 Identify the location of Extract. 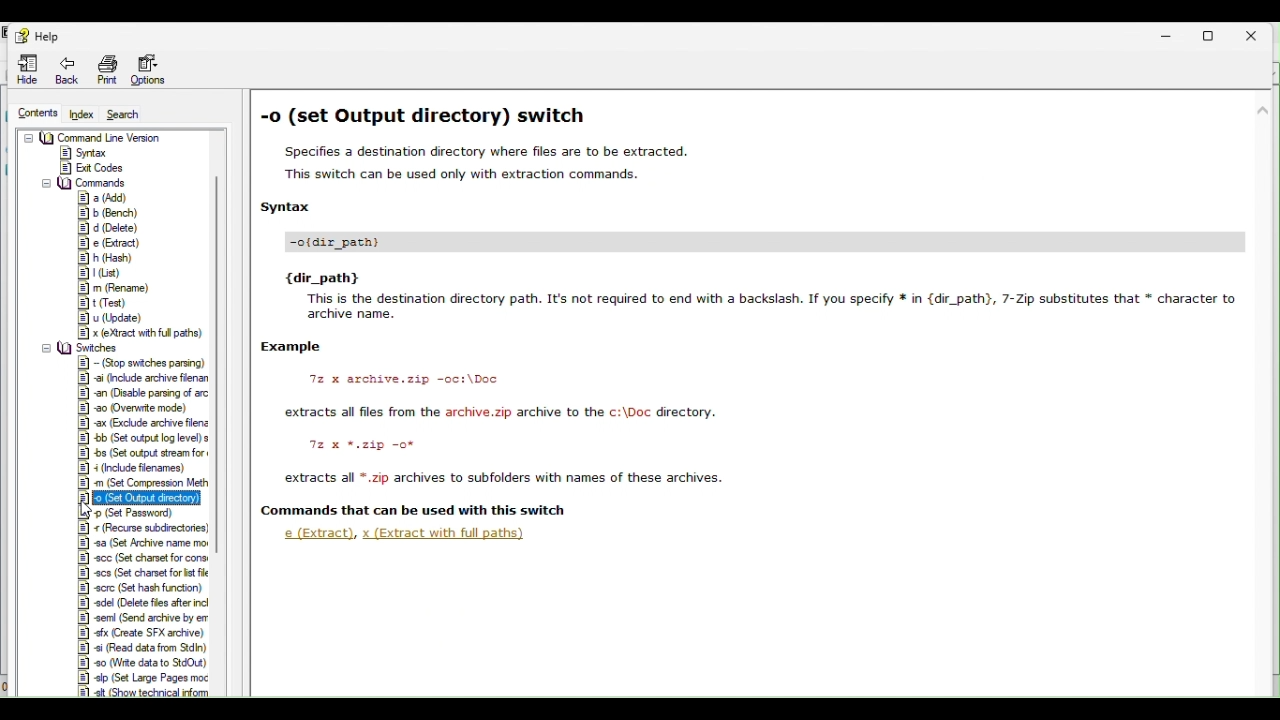
(105, 243).